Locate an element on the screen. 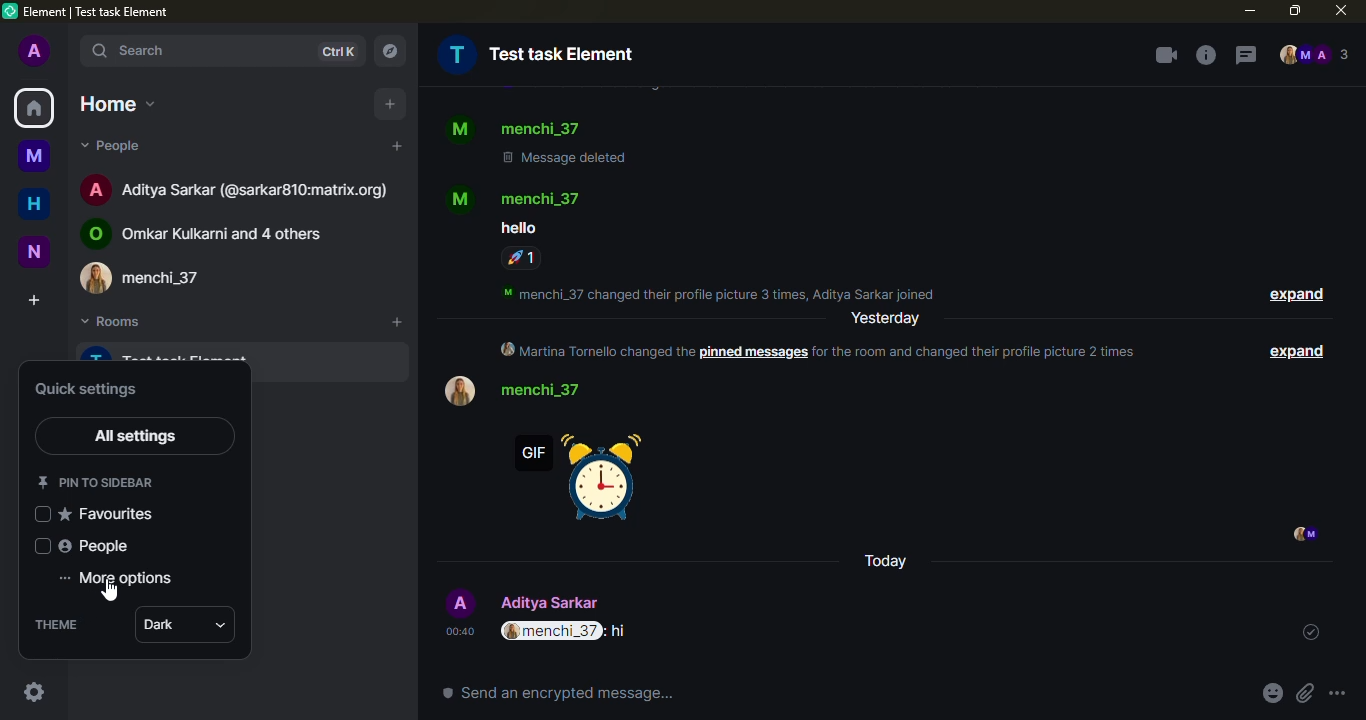 Image resolution: width=1366 pixels, height=720 pixels. element| test task element is located at coordinates (104, 13).